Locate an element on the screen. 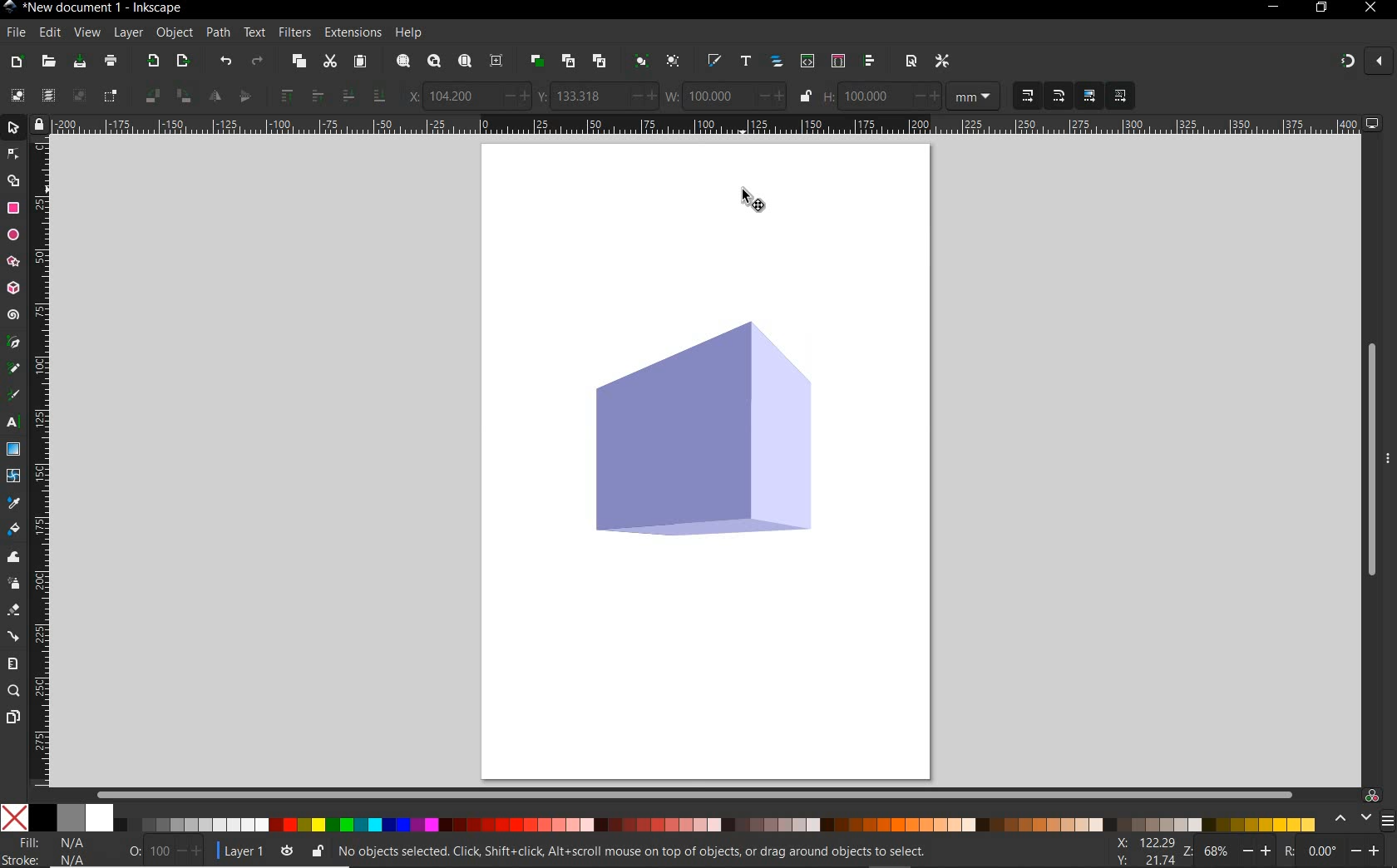 Image resolution: width=1397 pixels, height=868 pixels. spiral tool is located at coordinates (12, 314).